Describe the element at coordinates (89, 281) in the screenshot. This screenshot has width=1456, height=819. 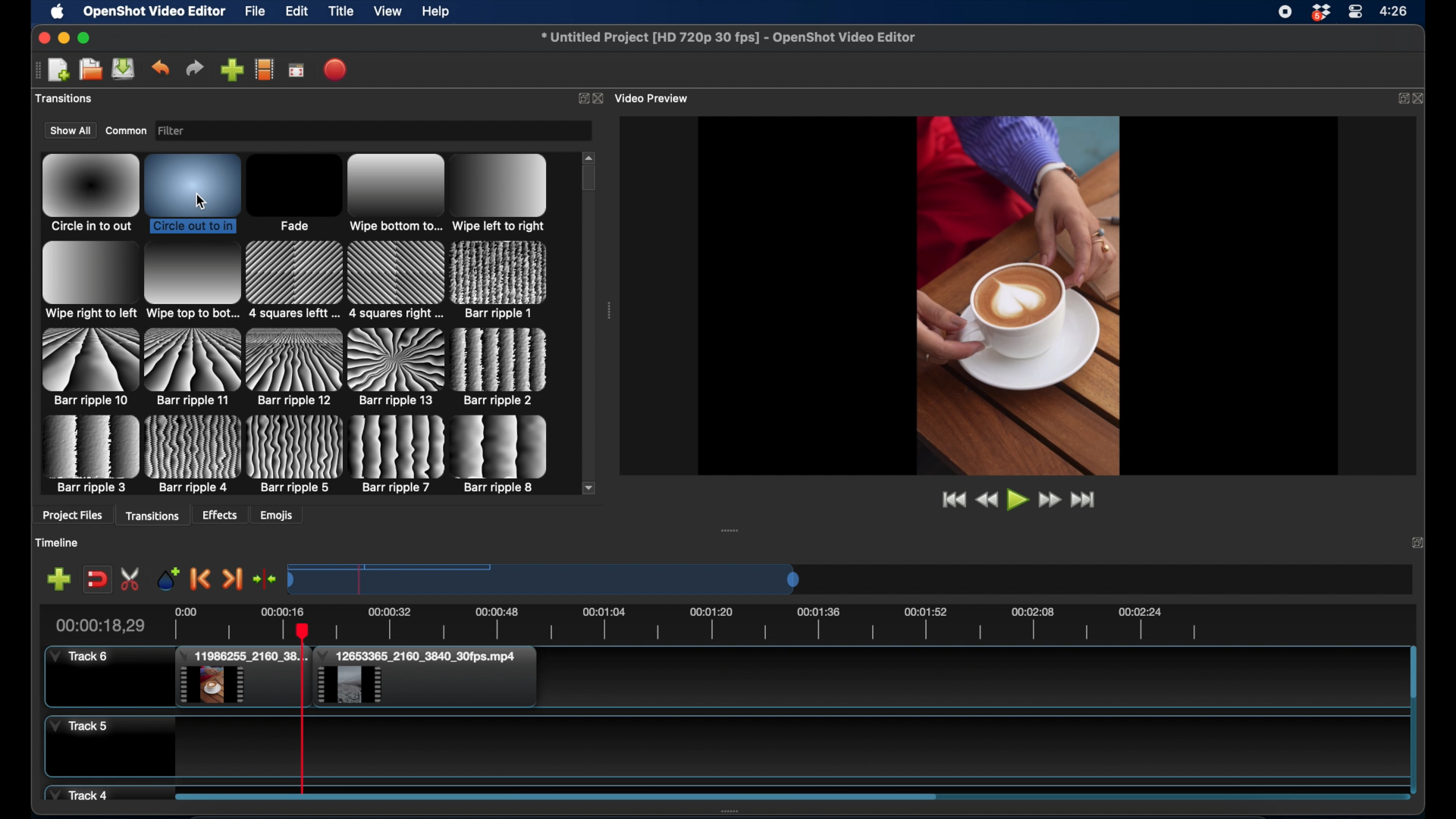
I see `transition` at that location.